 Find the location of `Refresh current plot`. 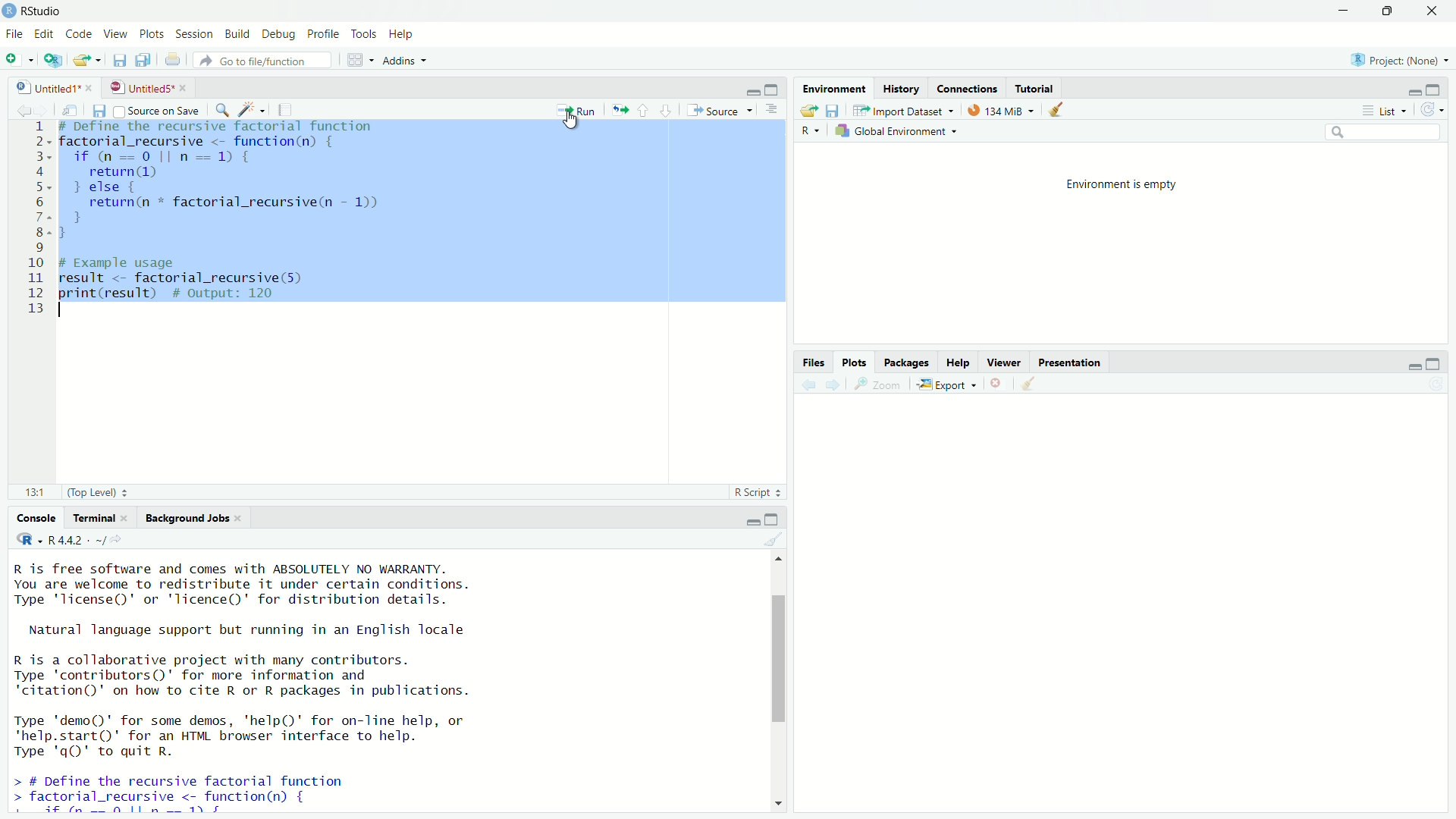

Refresh current plot is located at coordinates (1435, 384).